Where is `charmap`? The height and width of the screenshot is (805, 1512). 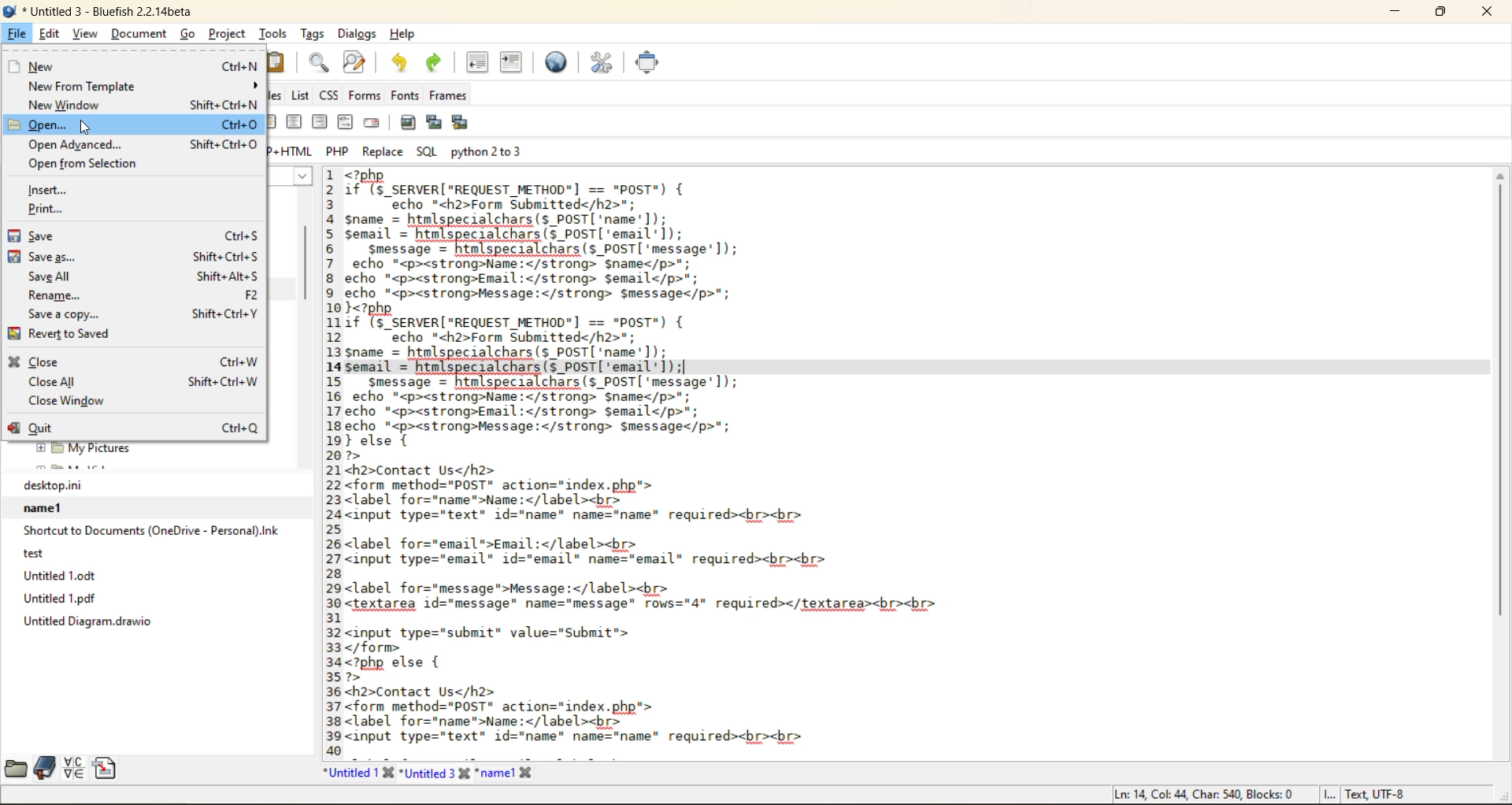
charmap is located at coordinates (76, 768).